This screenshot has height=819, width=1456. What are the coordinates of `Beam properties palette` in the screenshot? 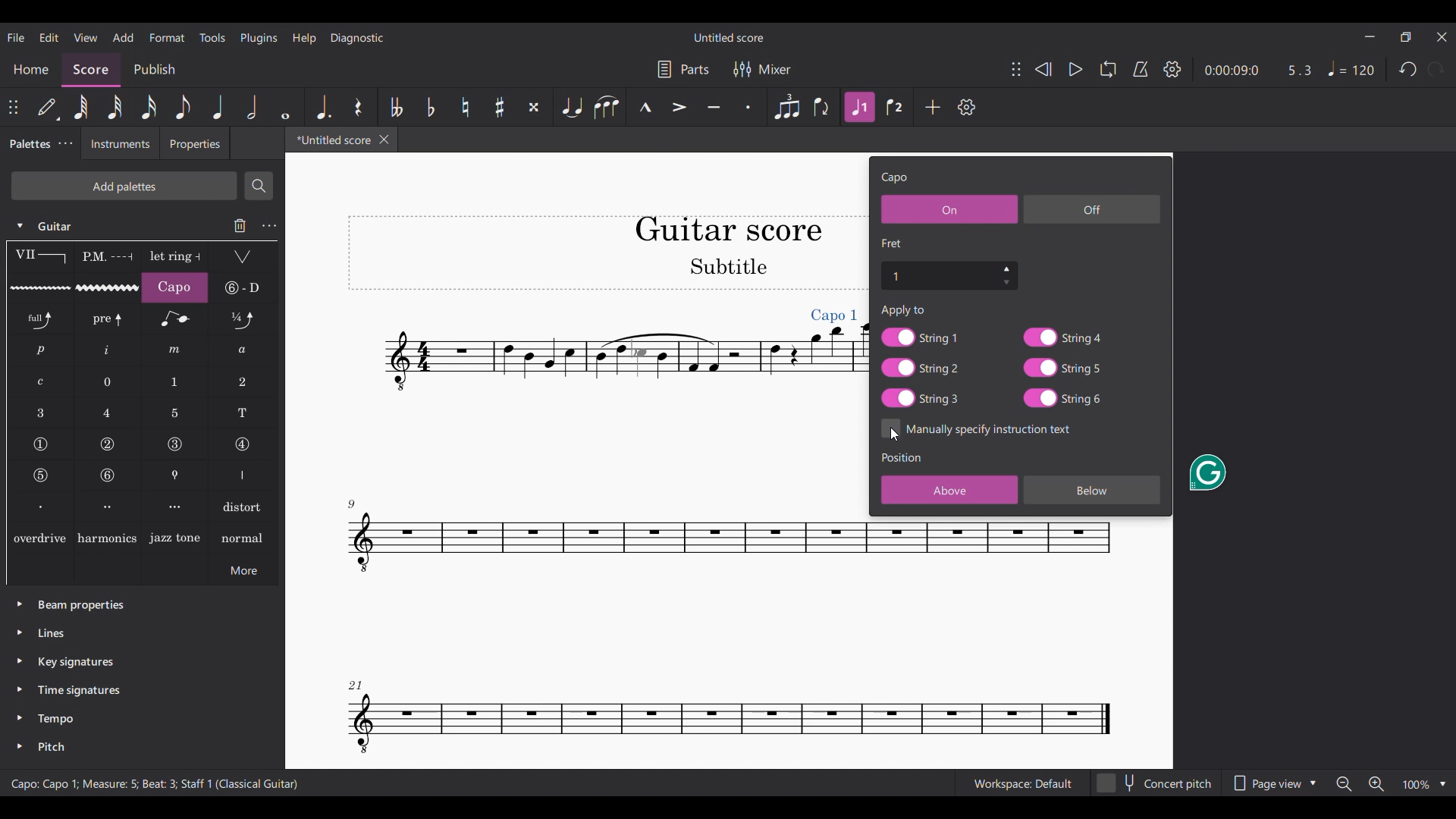 It's located at (81, 606).